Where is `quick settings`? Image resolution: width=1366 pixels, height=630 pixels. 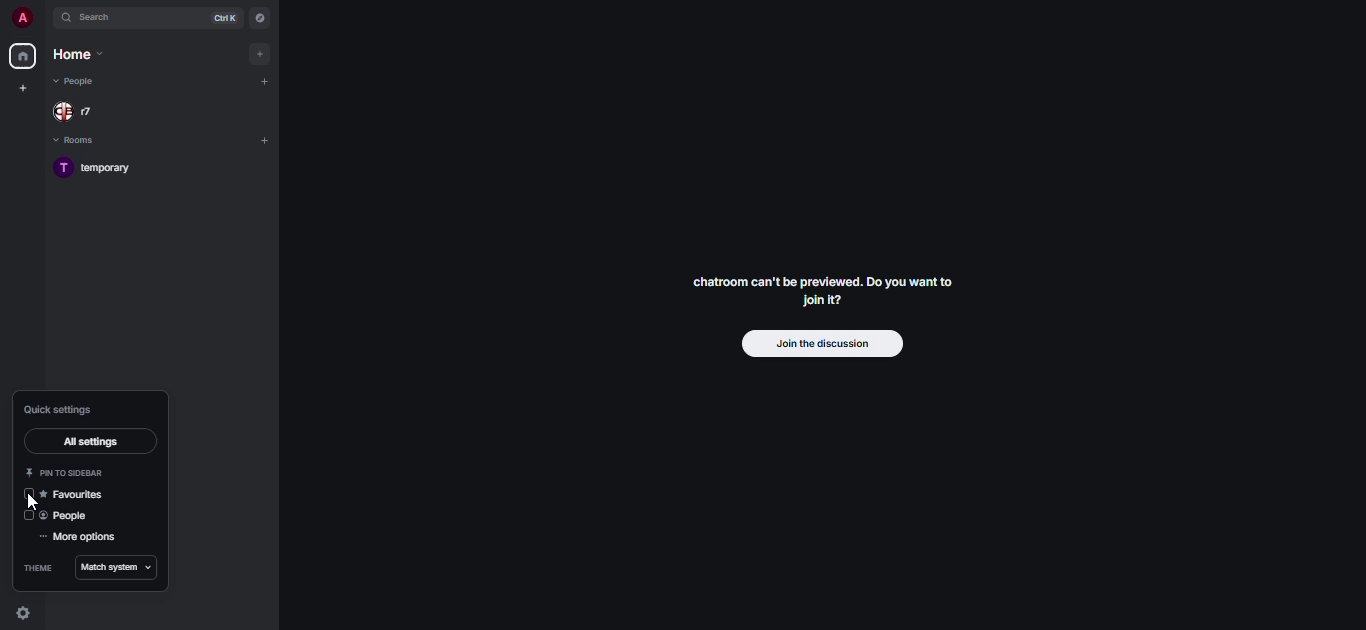 quick settings is located at coordinates (58, 408).